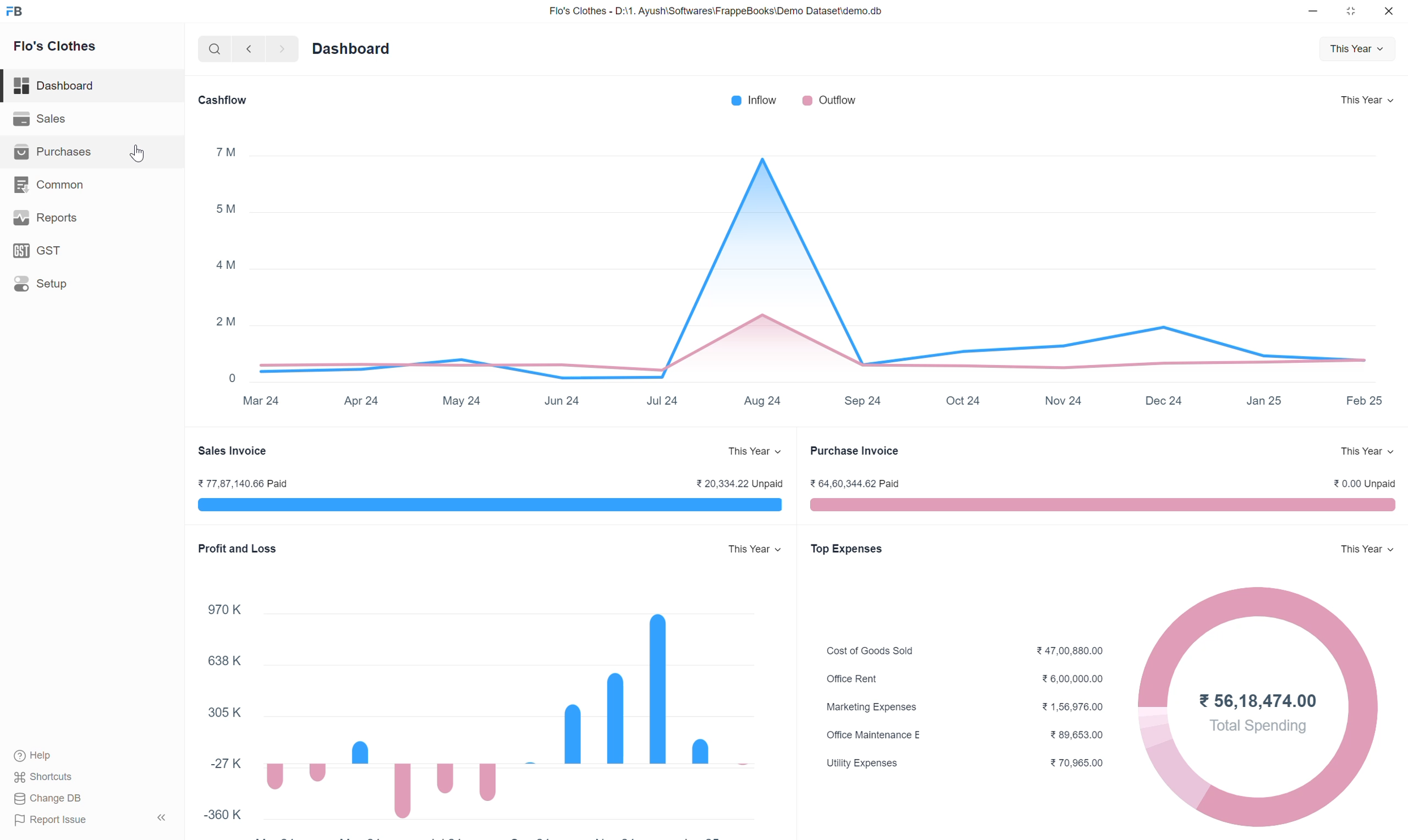  I want to click on Apr 24, so click(362, 401).